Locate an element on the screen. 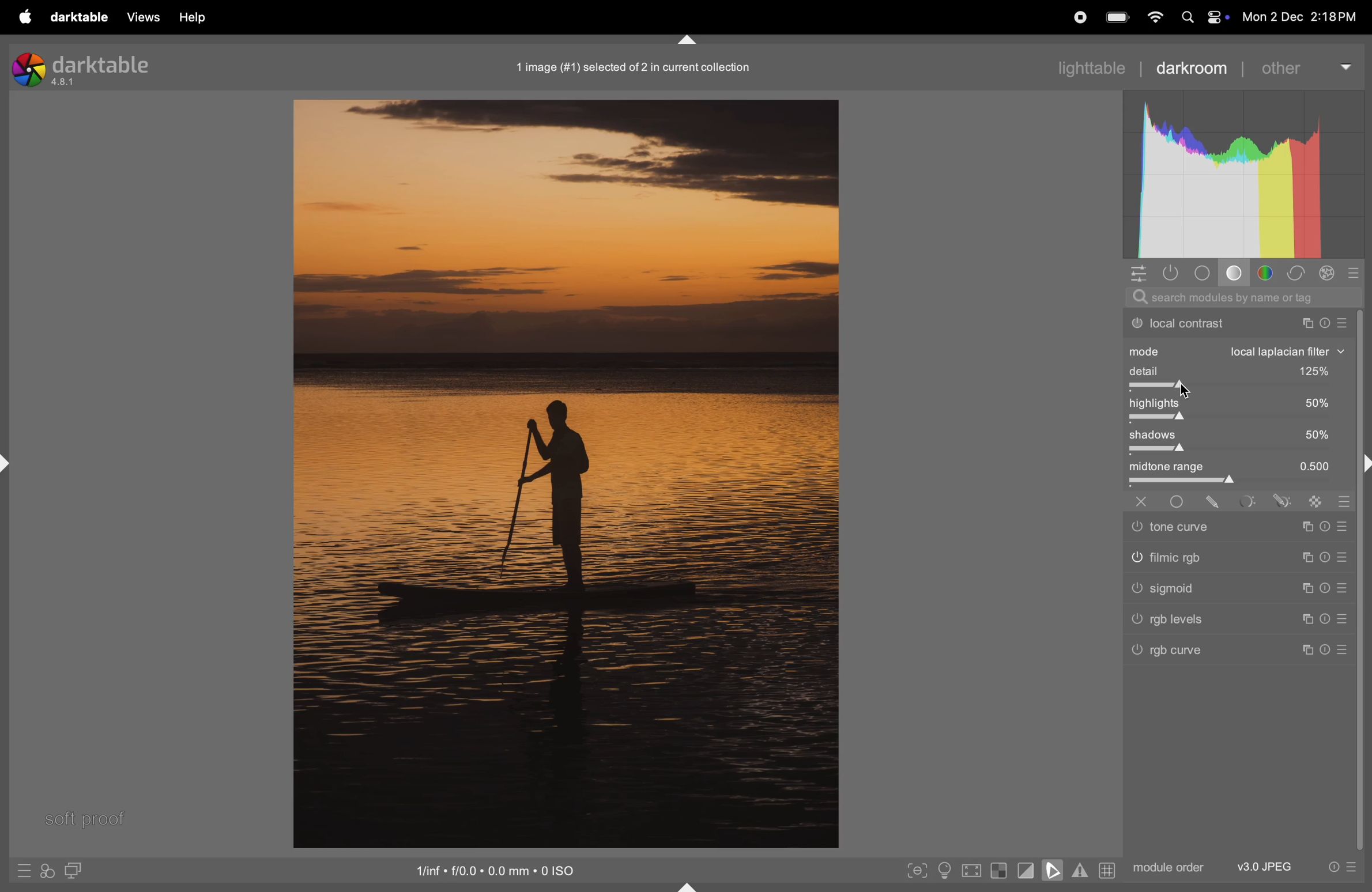  wifi is located at coordinates (1153, 17).